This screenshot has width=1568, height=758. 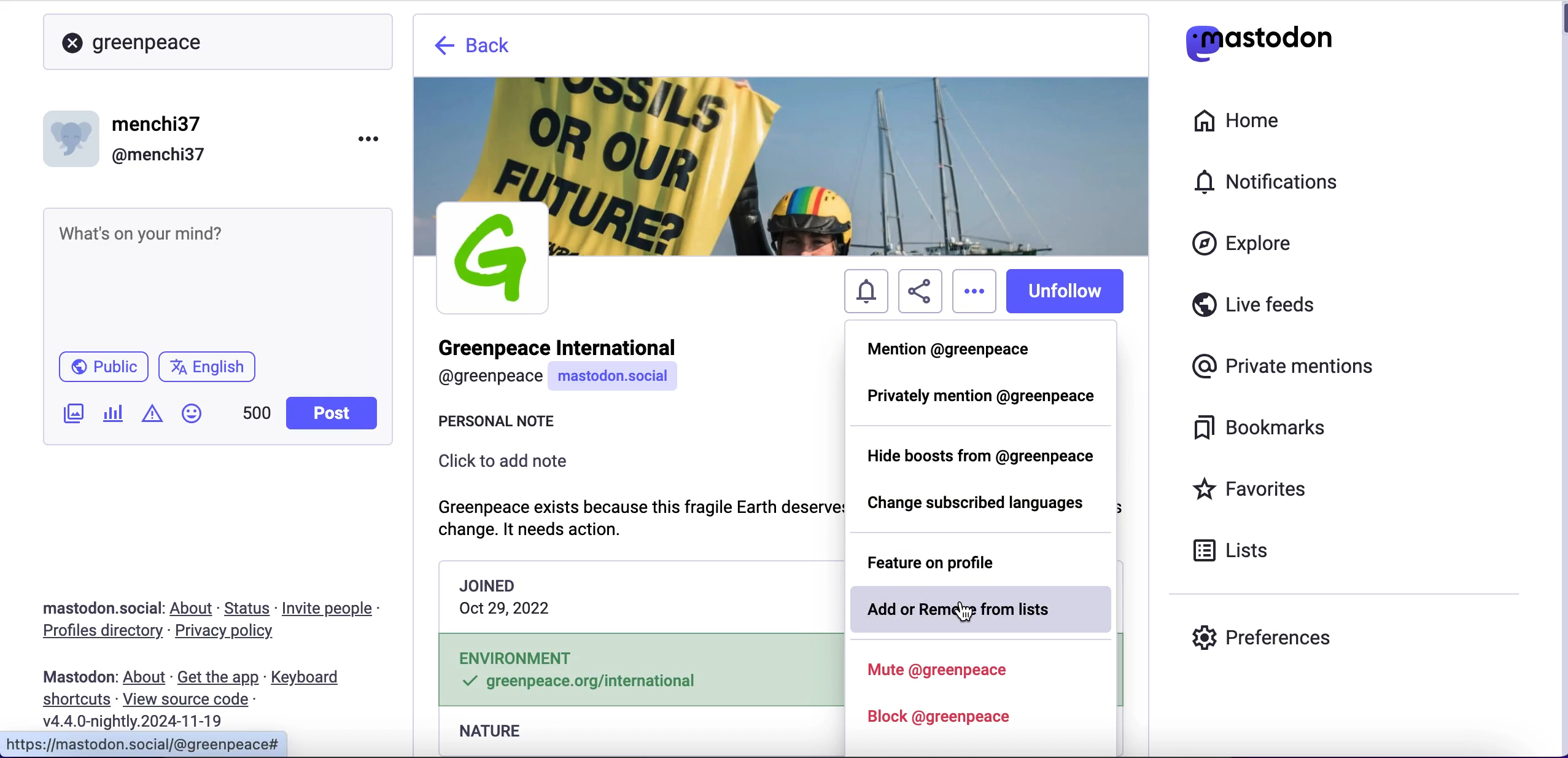 What do you see at coordinates (863, 292) in the screenshot?
I see `notifications` at bounding box center [863, 292].